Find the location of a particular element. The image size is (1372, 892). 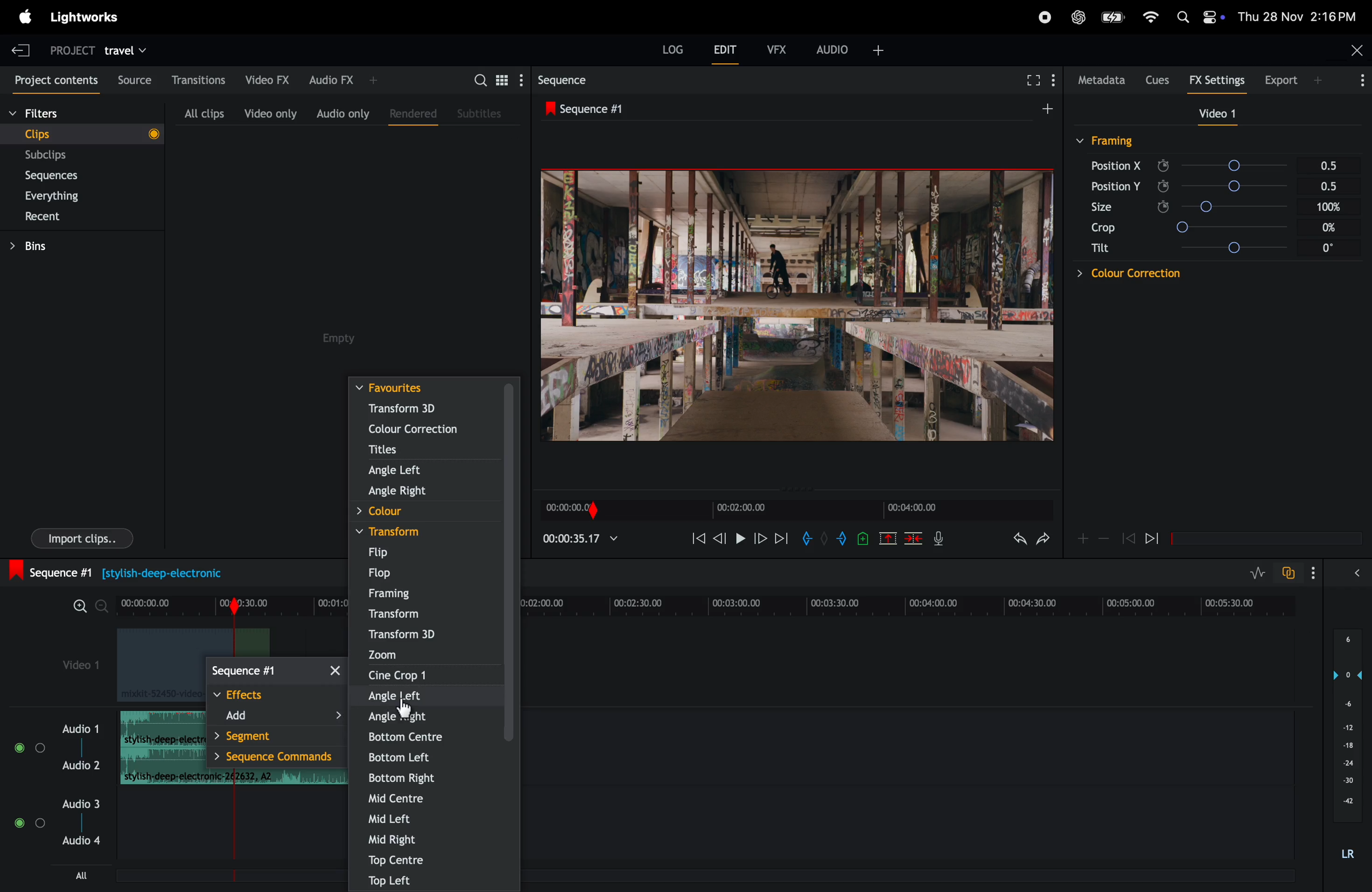

effects is located at coordinates (274, 694).